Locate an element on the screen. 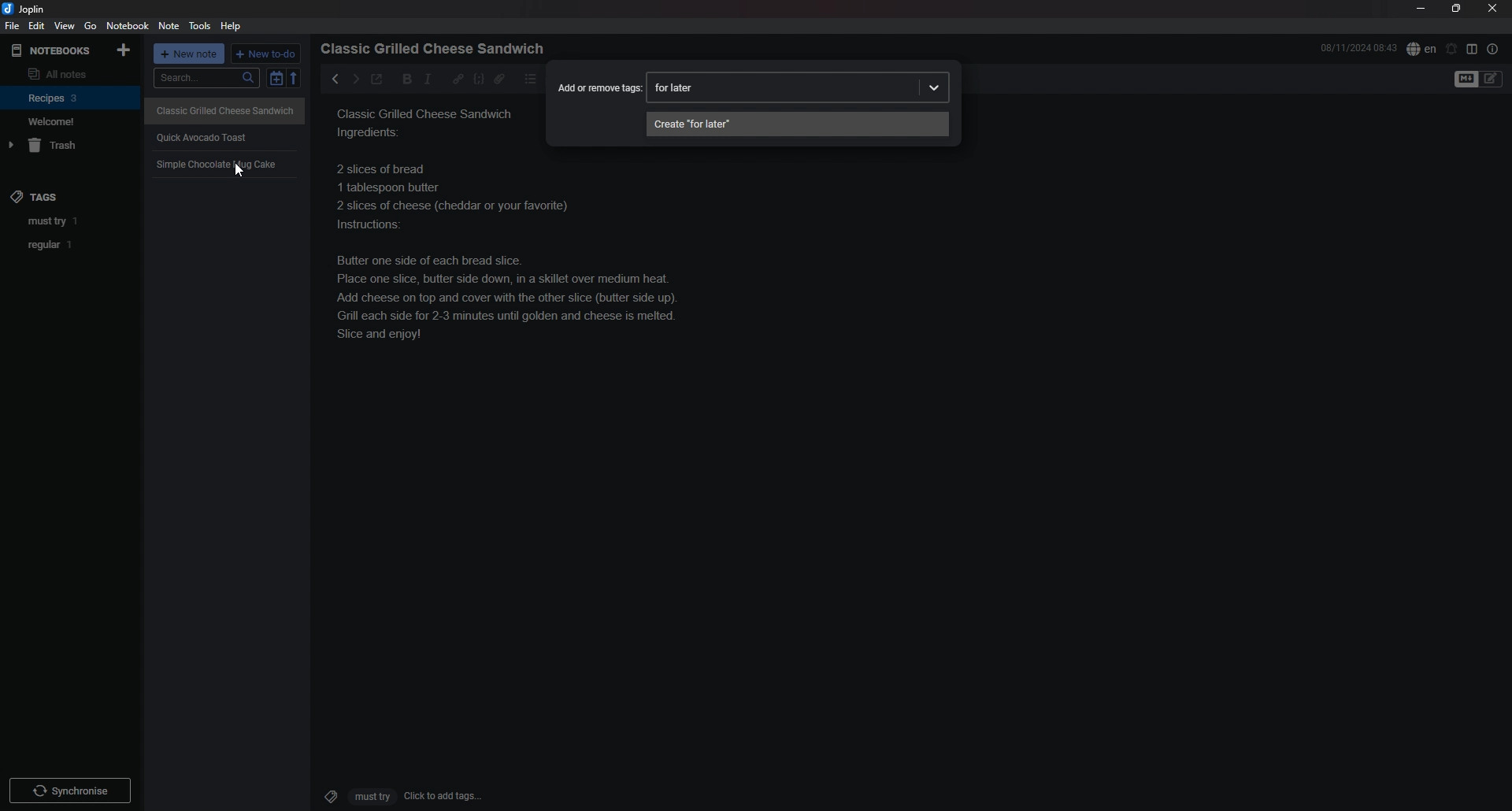  close is located at coordinates (1494, 8).